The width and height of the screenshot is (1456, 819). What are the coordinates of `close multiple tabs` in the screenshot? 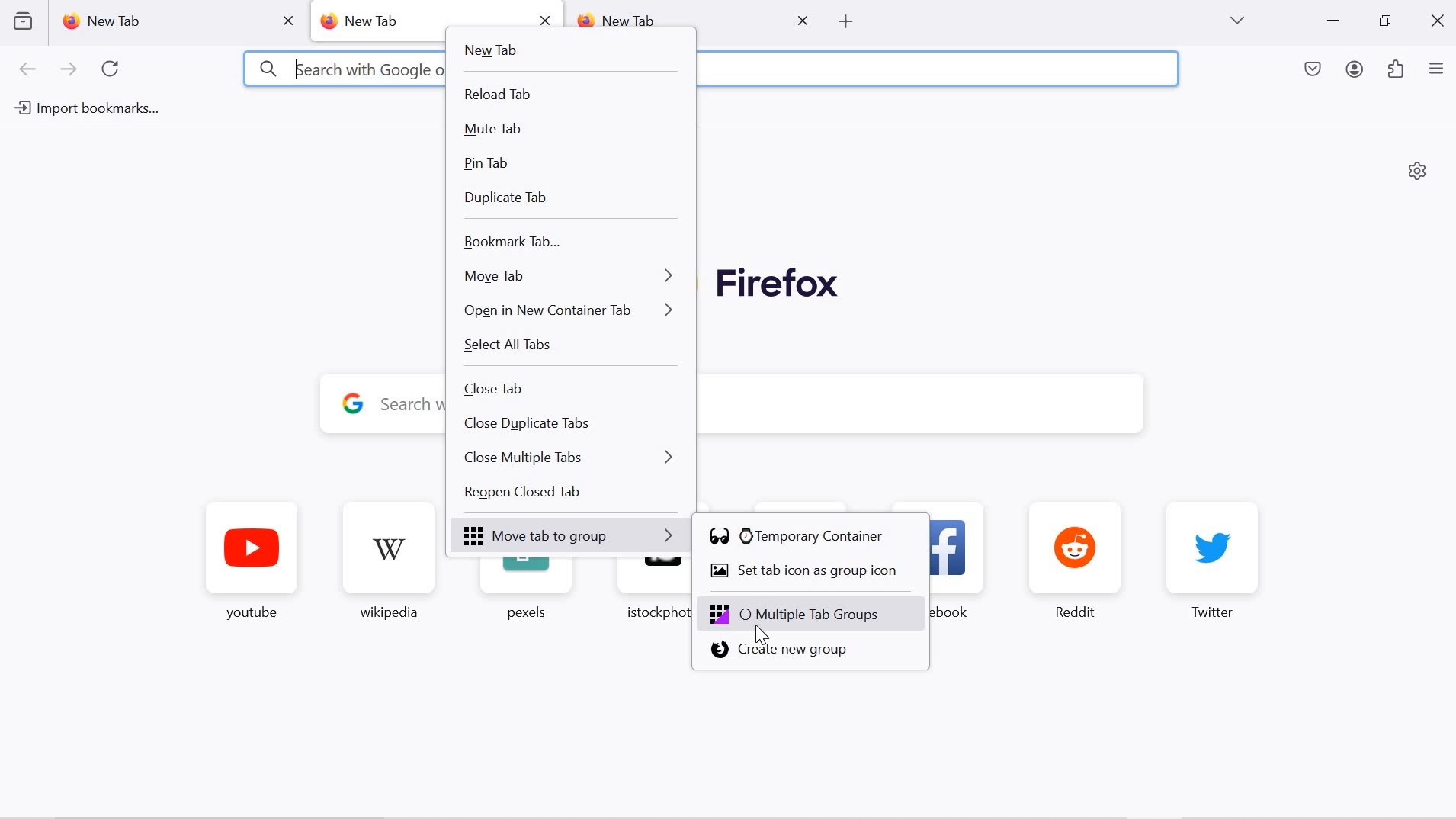 It's located at (573, 461).